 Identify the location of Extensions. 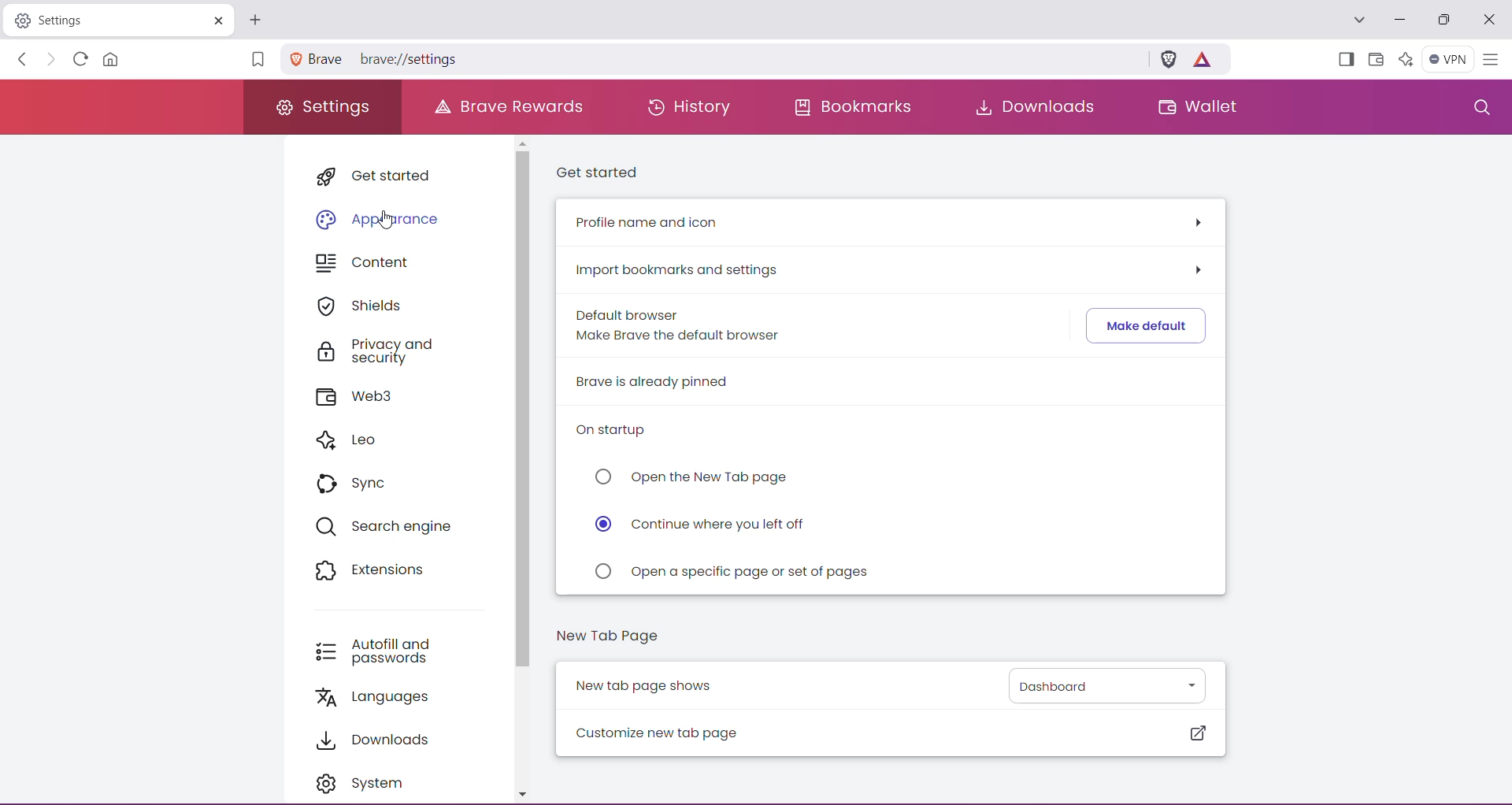
(370, 572).